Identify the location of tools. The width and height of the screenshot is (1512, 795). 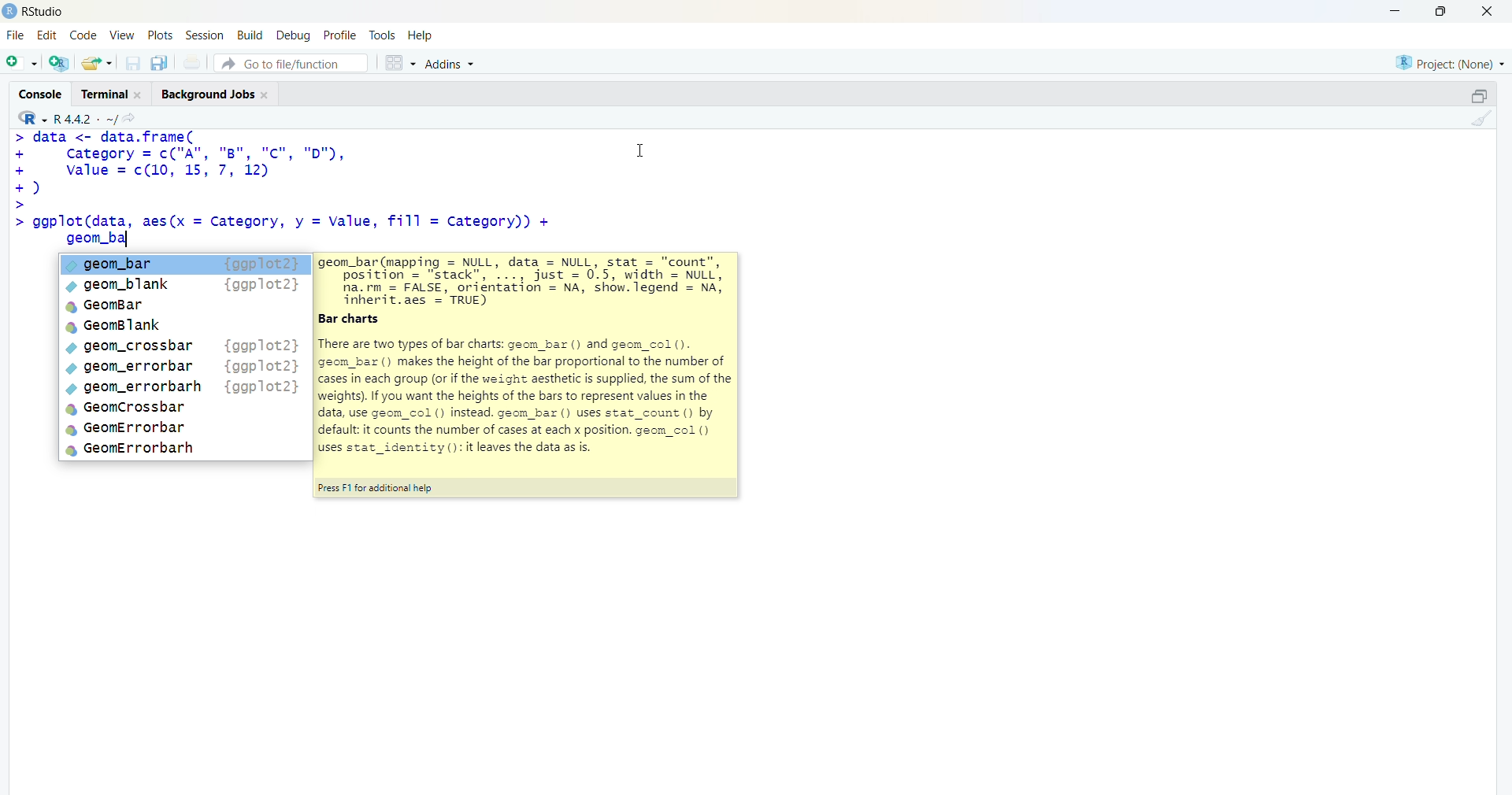
(384, 35).